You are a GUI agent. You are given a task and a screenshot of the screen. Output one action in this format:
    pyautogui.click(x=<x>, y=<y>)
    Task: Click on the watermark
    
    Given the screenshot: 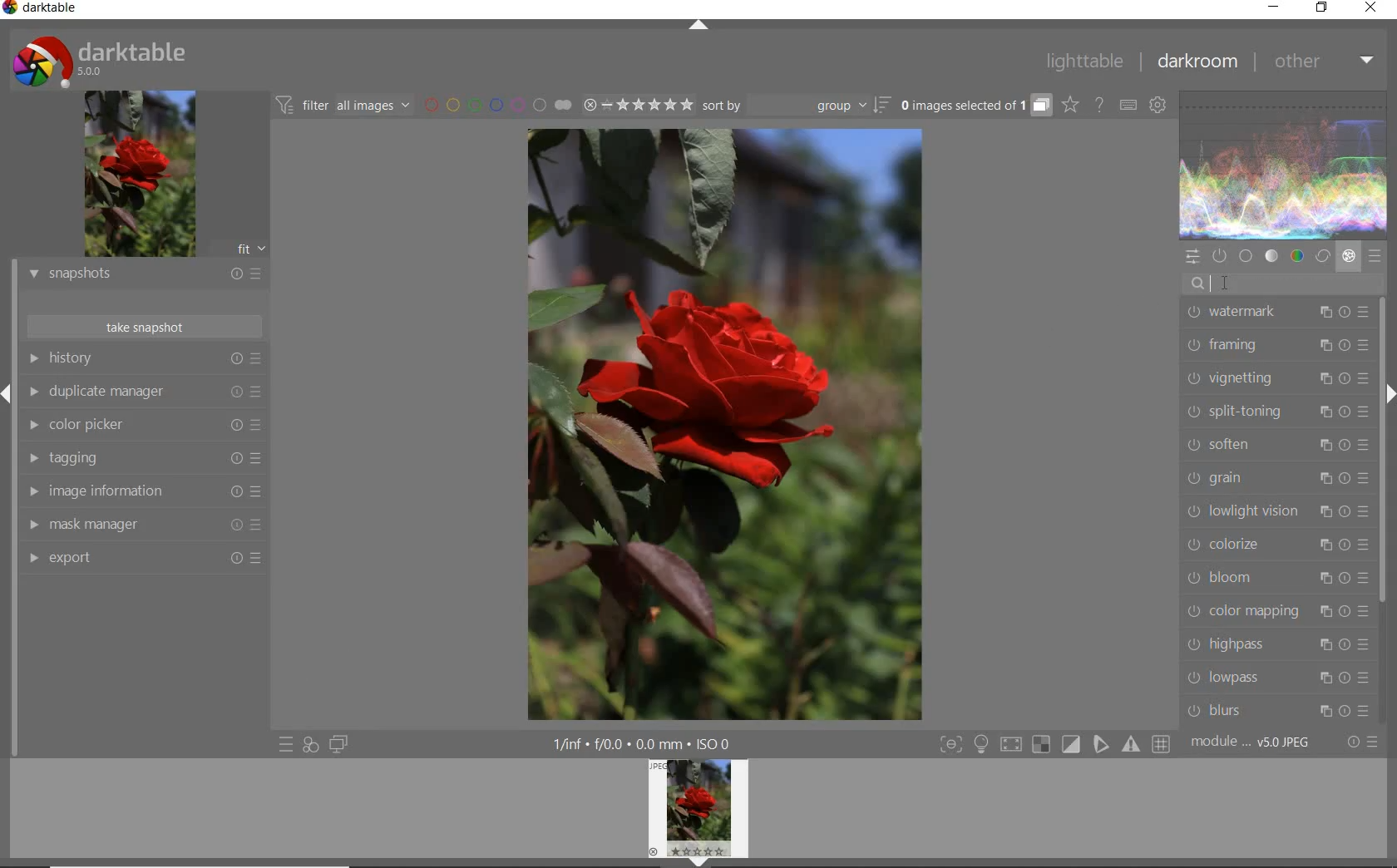 What is the action you would take?
    pyautogui.click(x=1276, y=313)
    